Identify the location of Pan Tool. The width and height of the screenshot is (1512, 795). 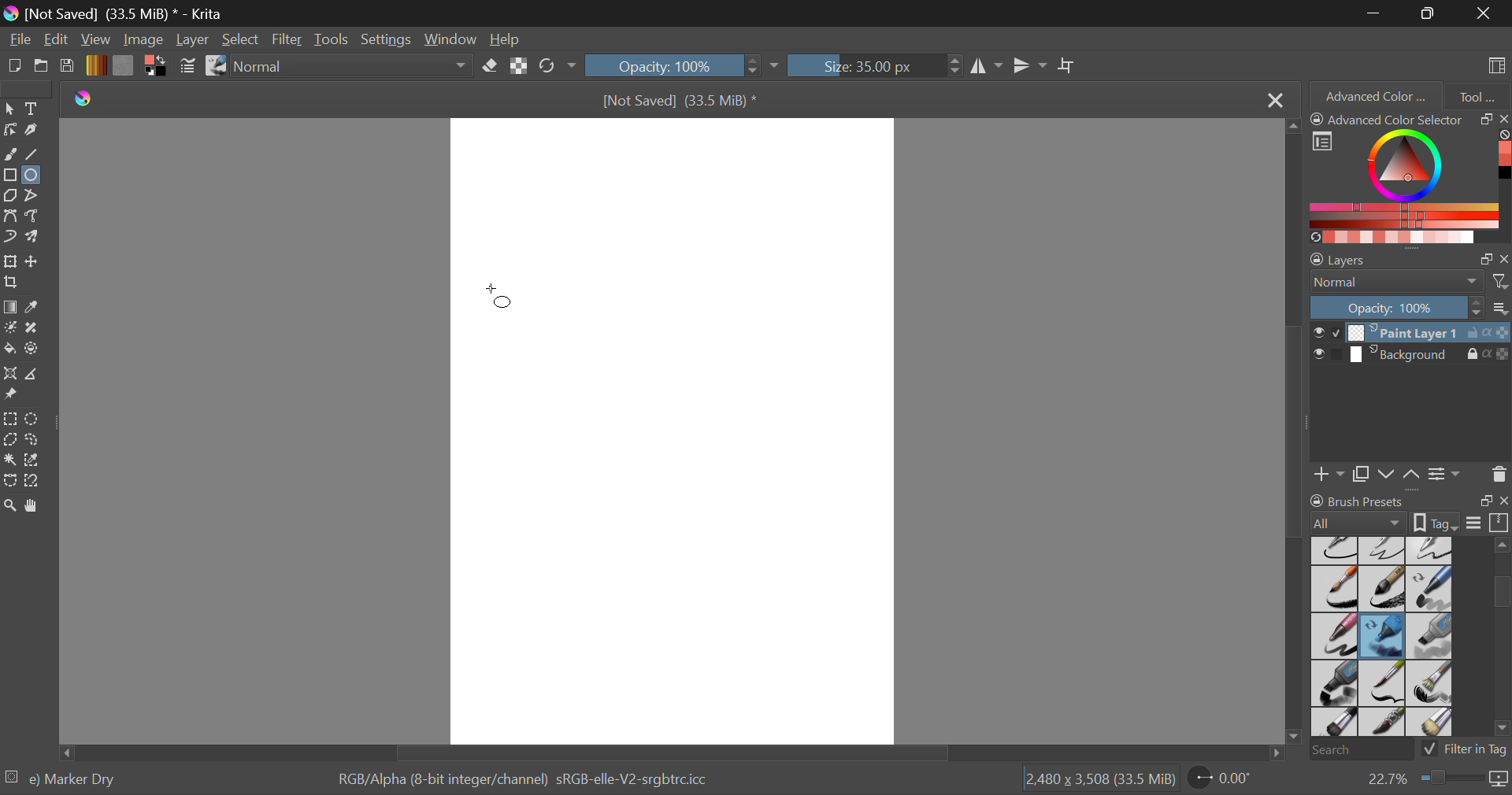
(35, 505).